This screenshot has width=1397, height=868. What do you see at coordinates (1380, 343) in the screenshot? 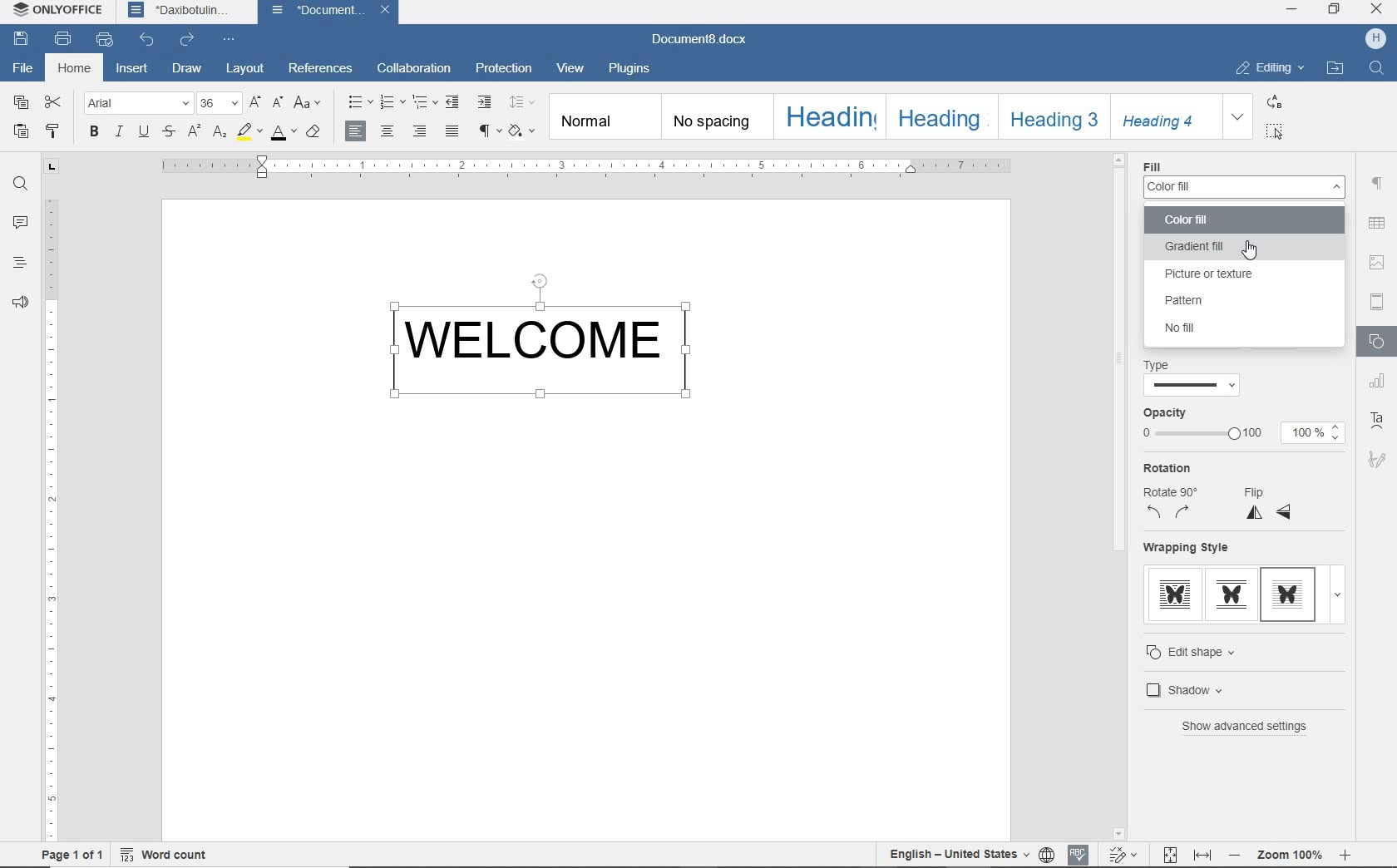
I see `SHAPE` at bounding box center [1380, 343].